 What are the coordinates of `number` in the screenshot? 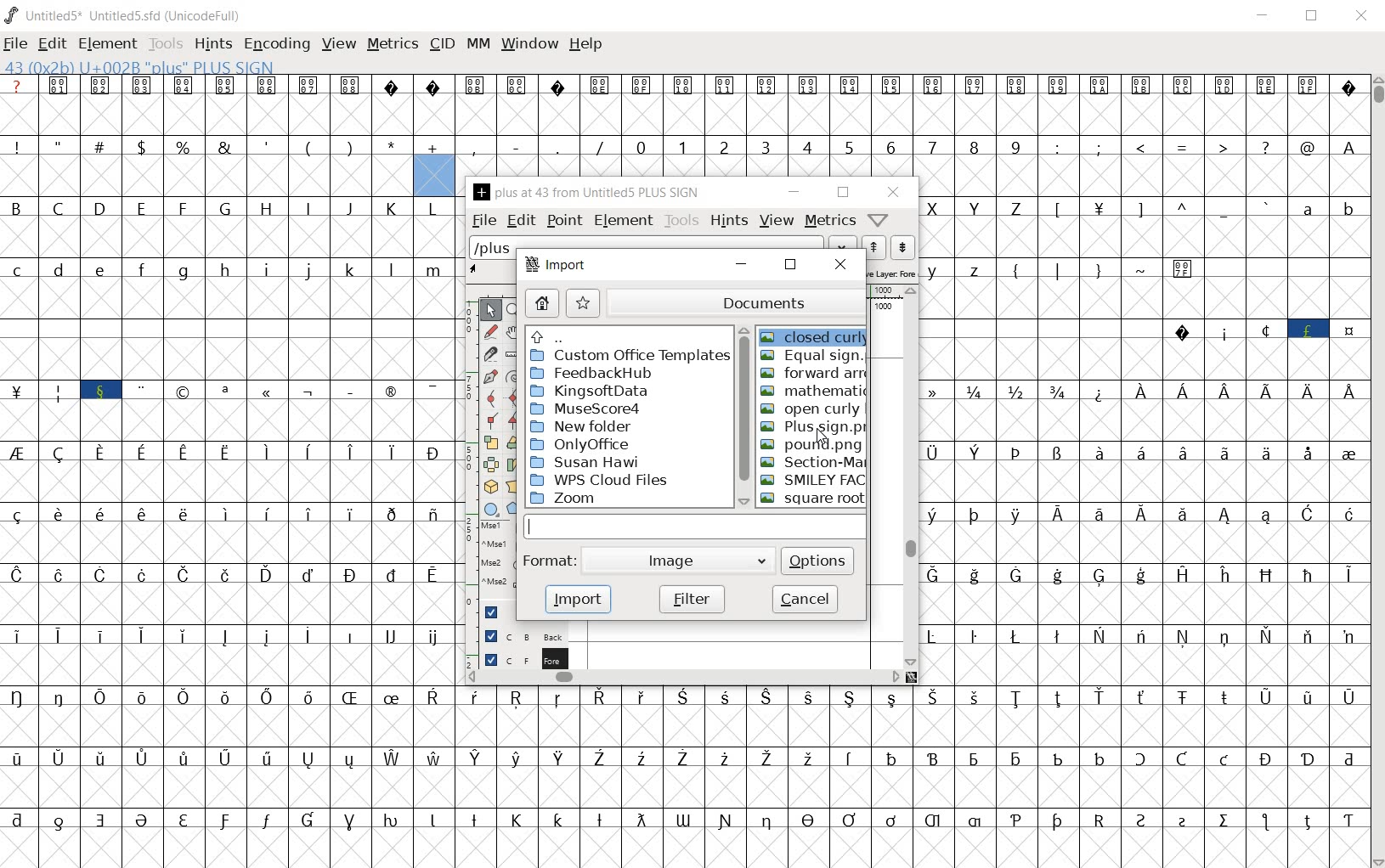 It's located at (829, 158).